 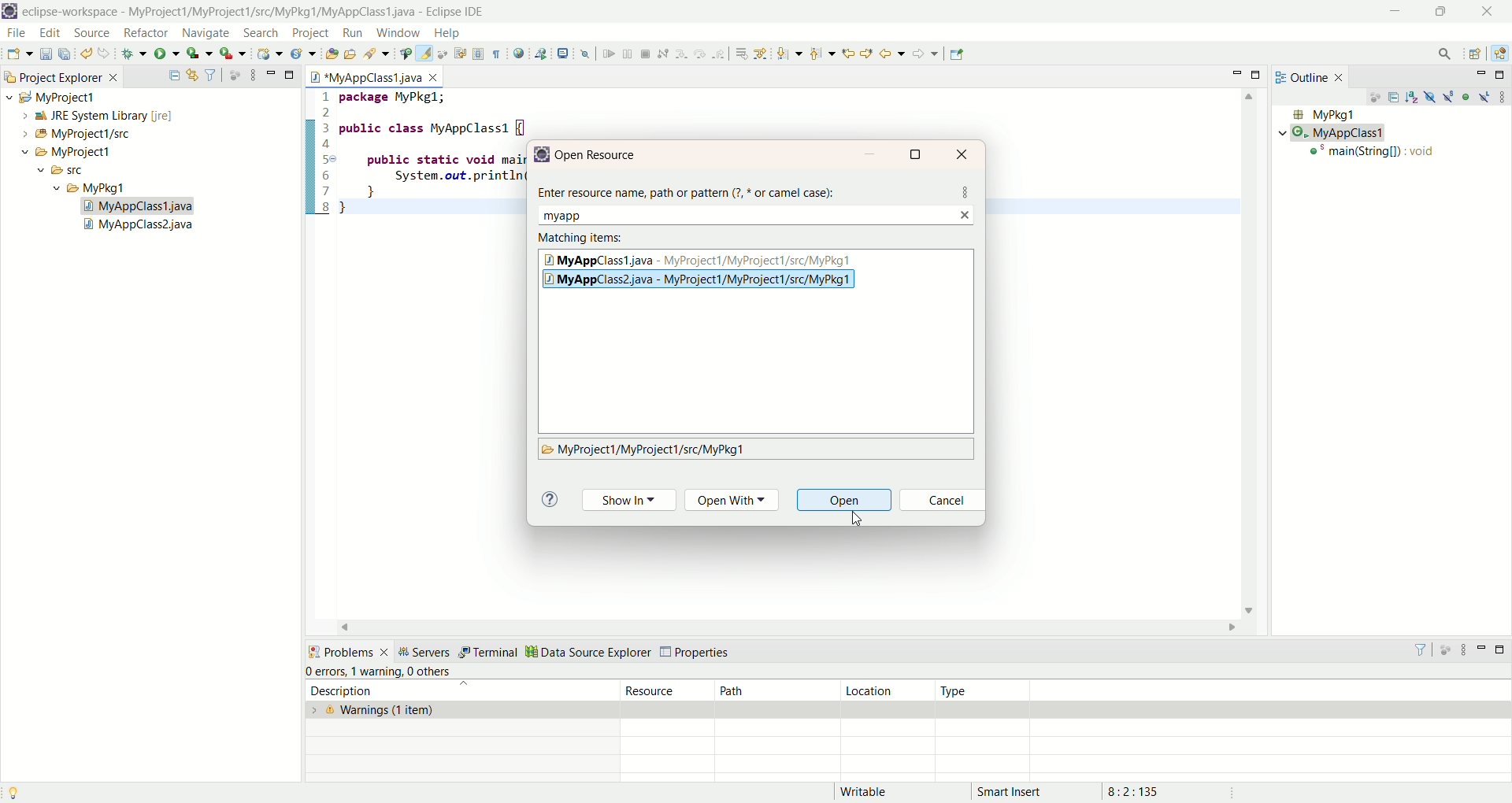 What do you see at coordinates (466, 53) in the screenshot?
I see `toggle word wrap` at bounding box center [466, 53].